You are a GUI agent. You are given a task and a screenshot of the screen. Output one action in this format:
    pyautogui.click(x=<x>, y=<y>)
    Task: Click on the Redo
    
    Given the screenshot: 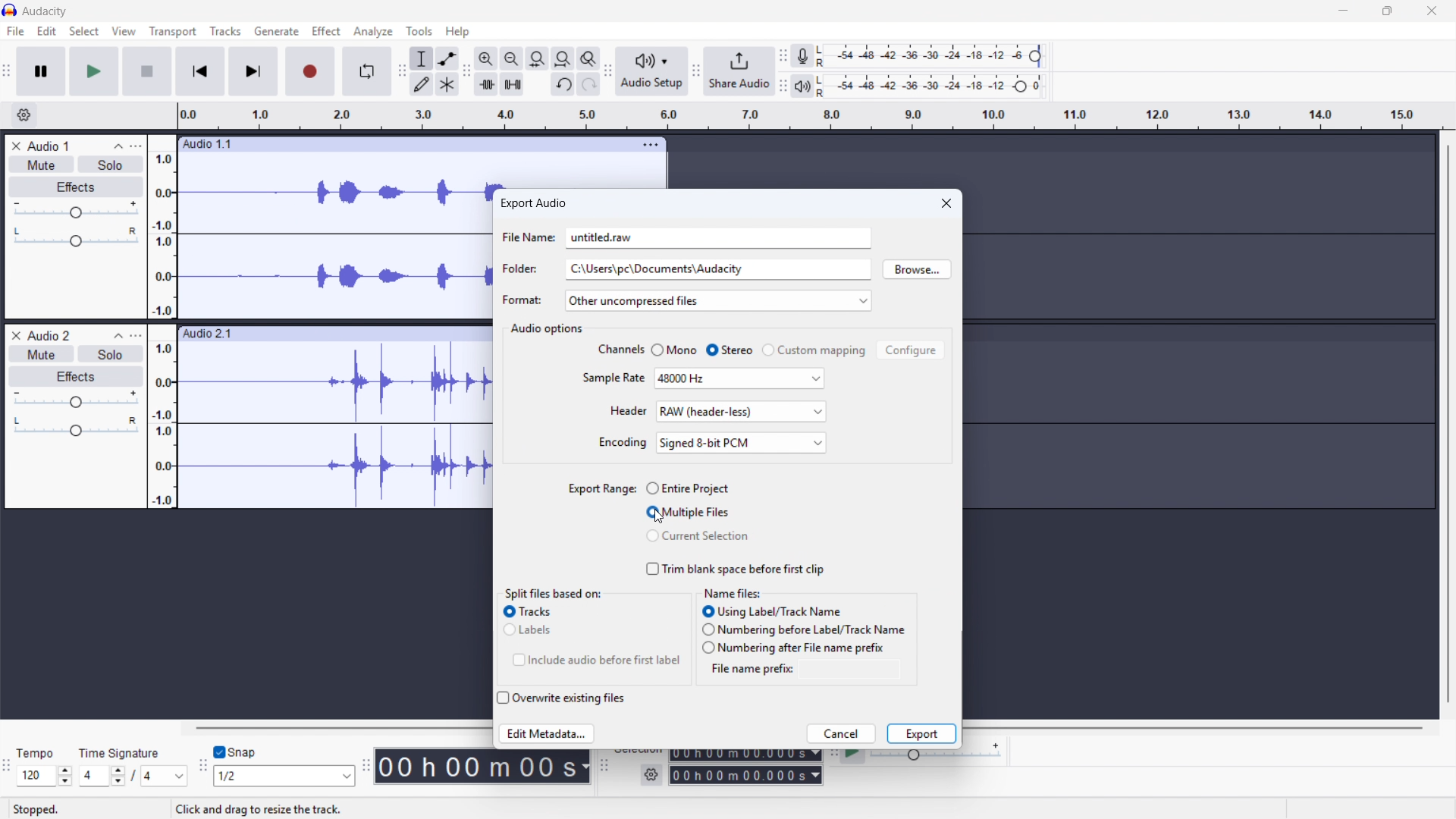 What is the action you would take?
    pyautogui.click(x=589, y=84)
    